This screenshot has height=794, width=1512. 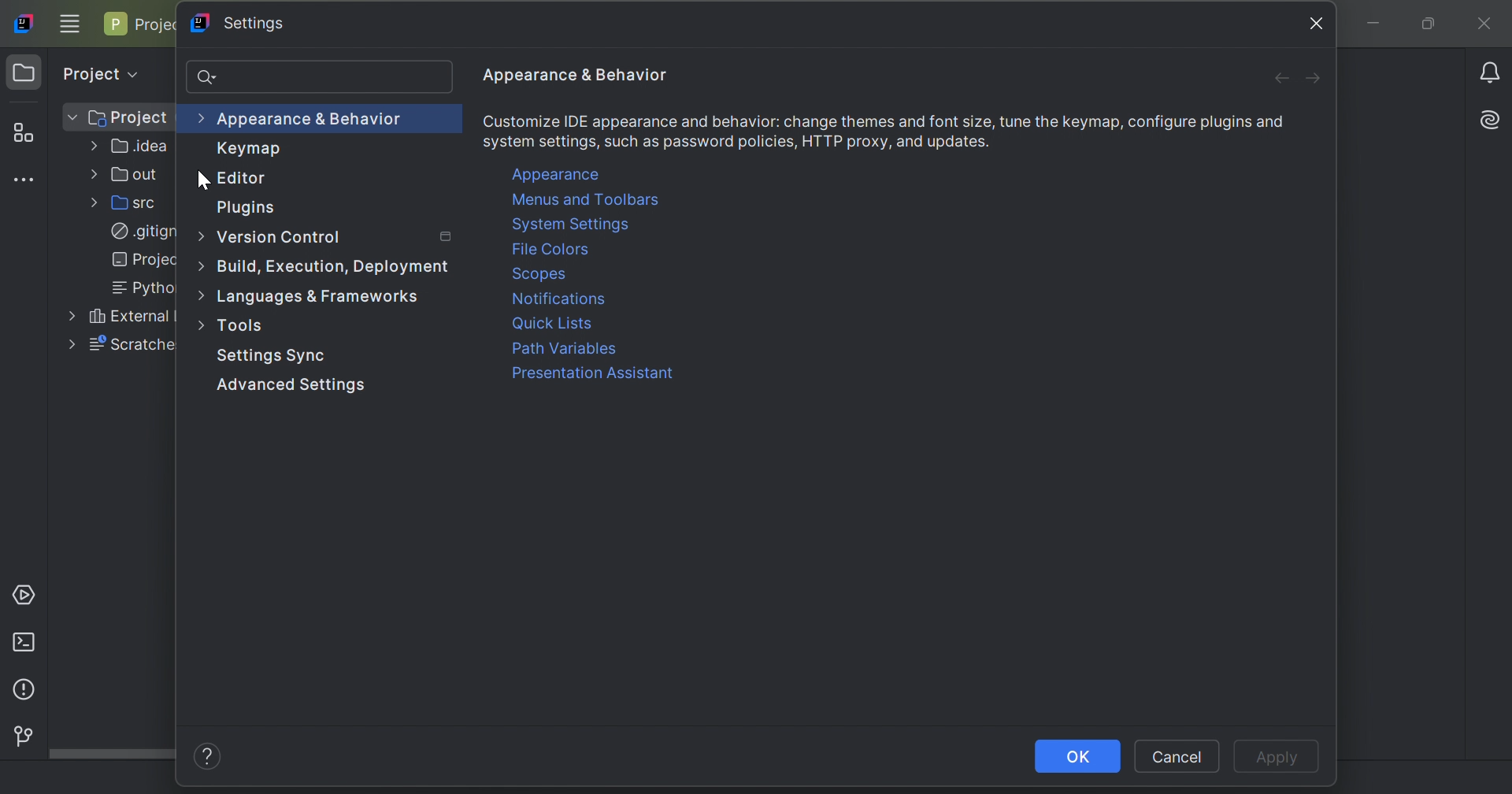 What do you see at coordinates (1280, 80) in the screenshot?
I see `Back` at bounding box center [1280, 80].